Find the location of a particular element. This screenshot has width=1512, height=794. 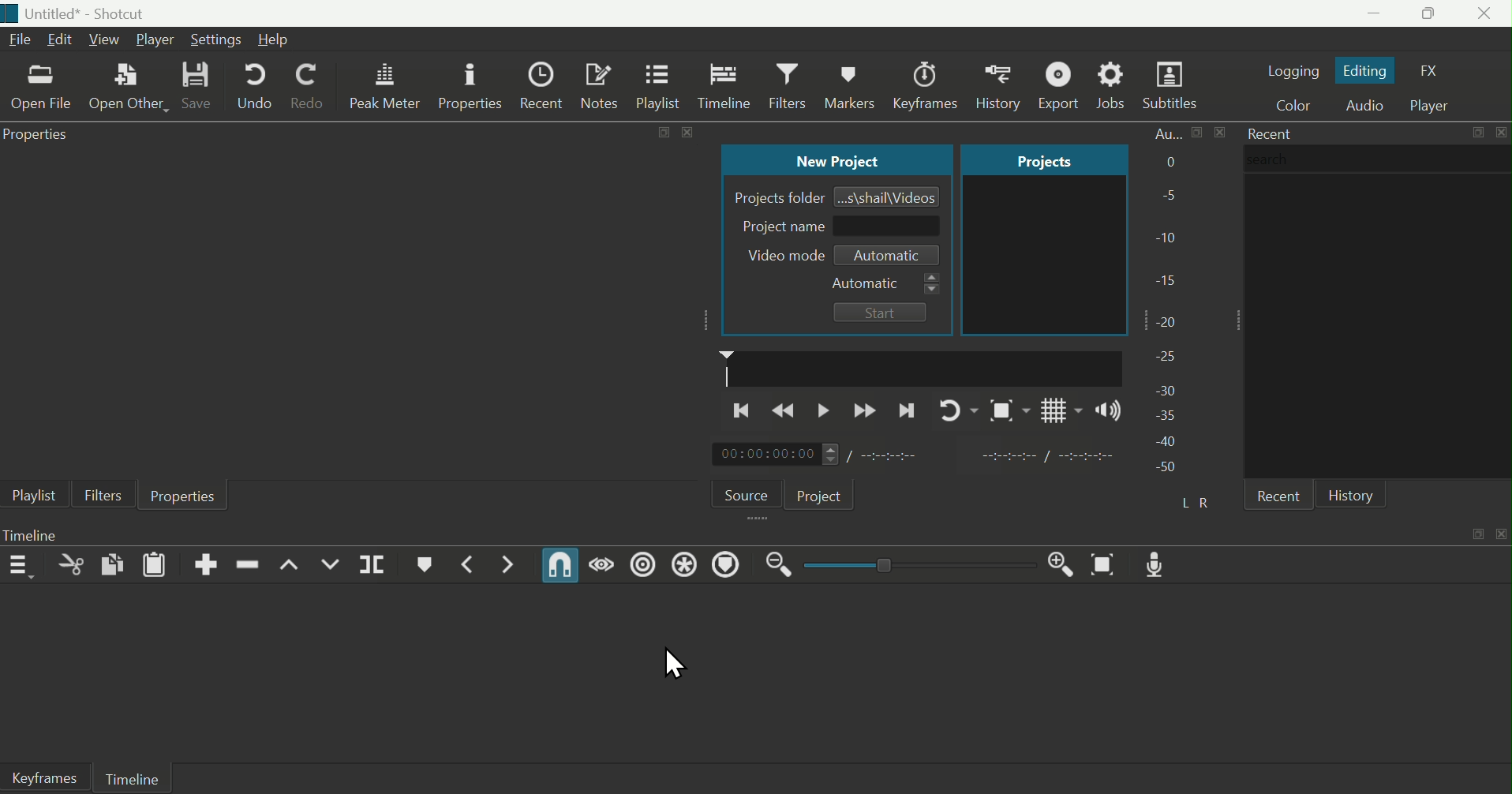

-40 is located at coordinates (1167, 441).